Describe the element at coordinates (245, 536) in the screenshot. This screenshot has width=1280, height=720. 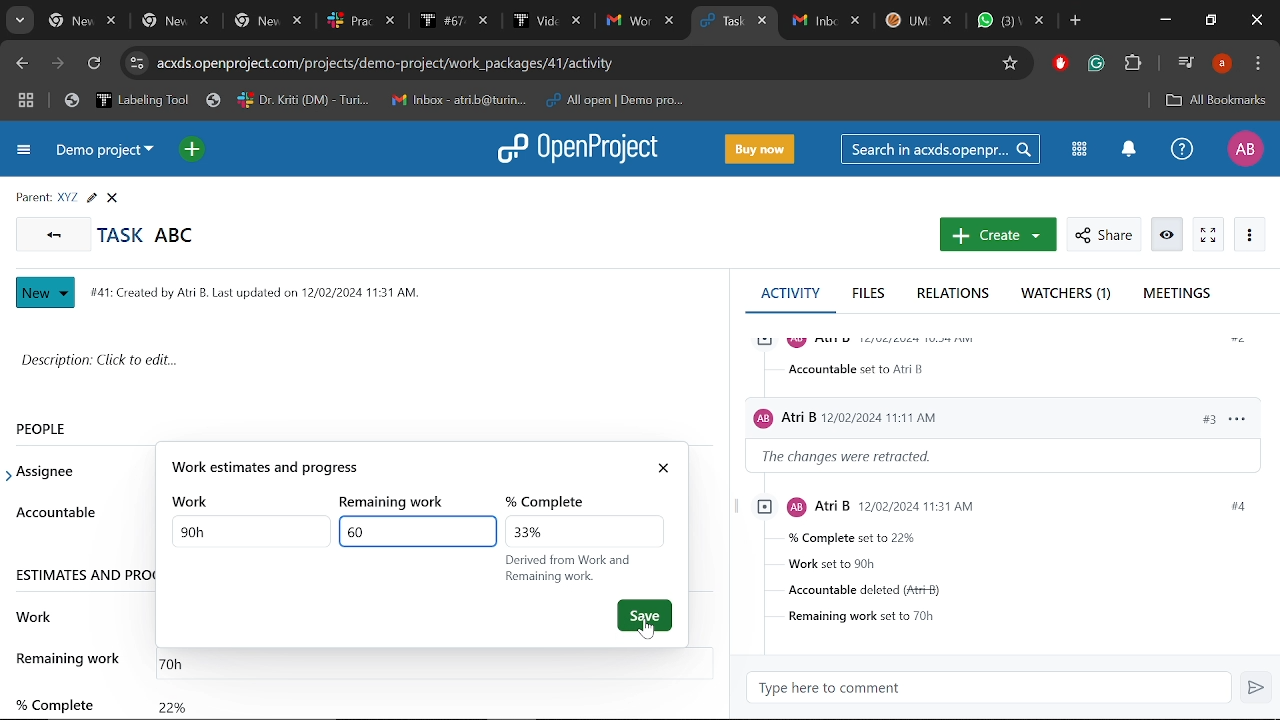
I see `TOtal work` at that location.